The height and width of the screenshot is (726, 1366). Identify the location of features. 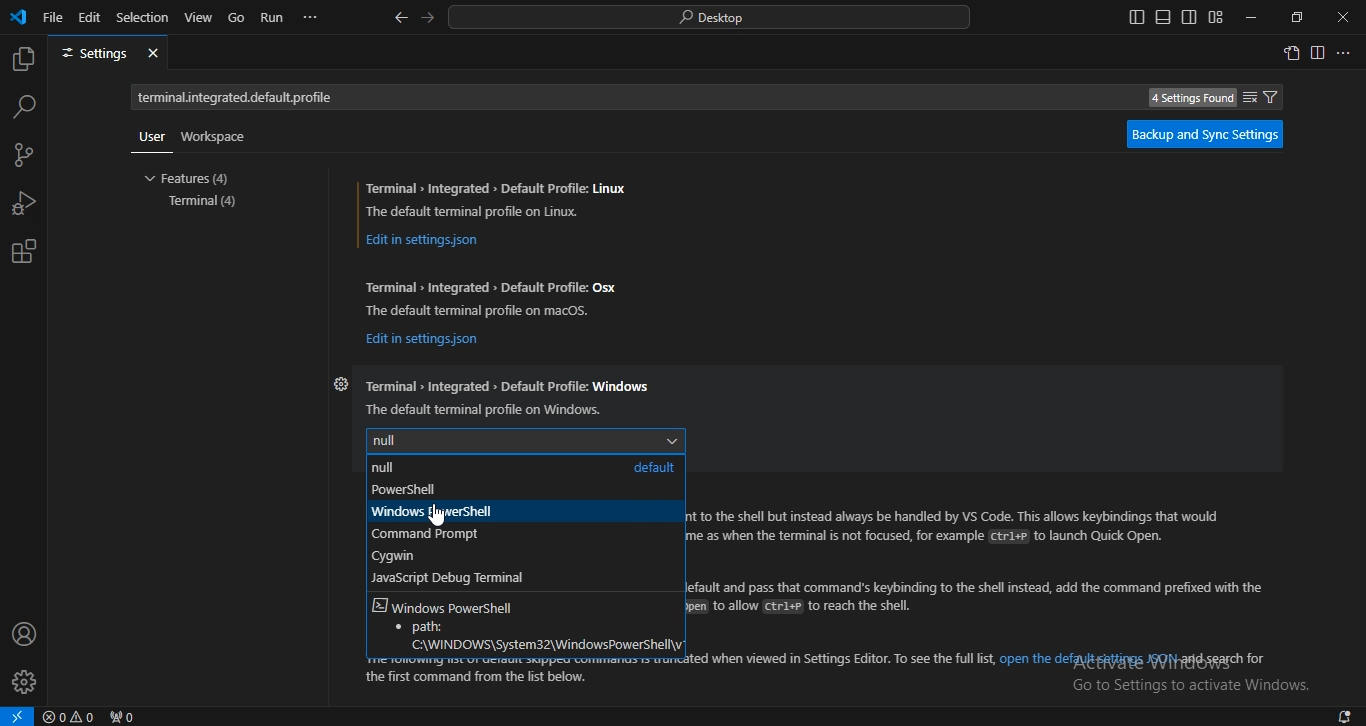
(191, 175).